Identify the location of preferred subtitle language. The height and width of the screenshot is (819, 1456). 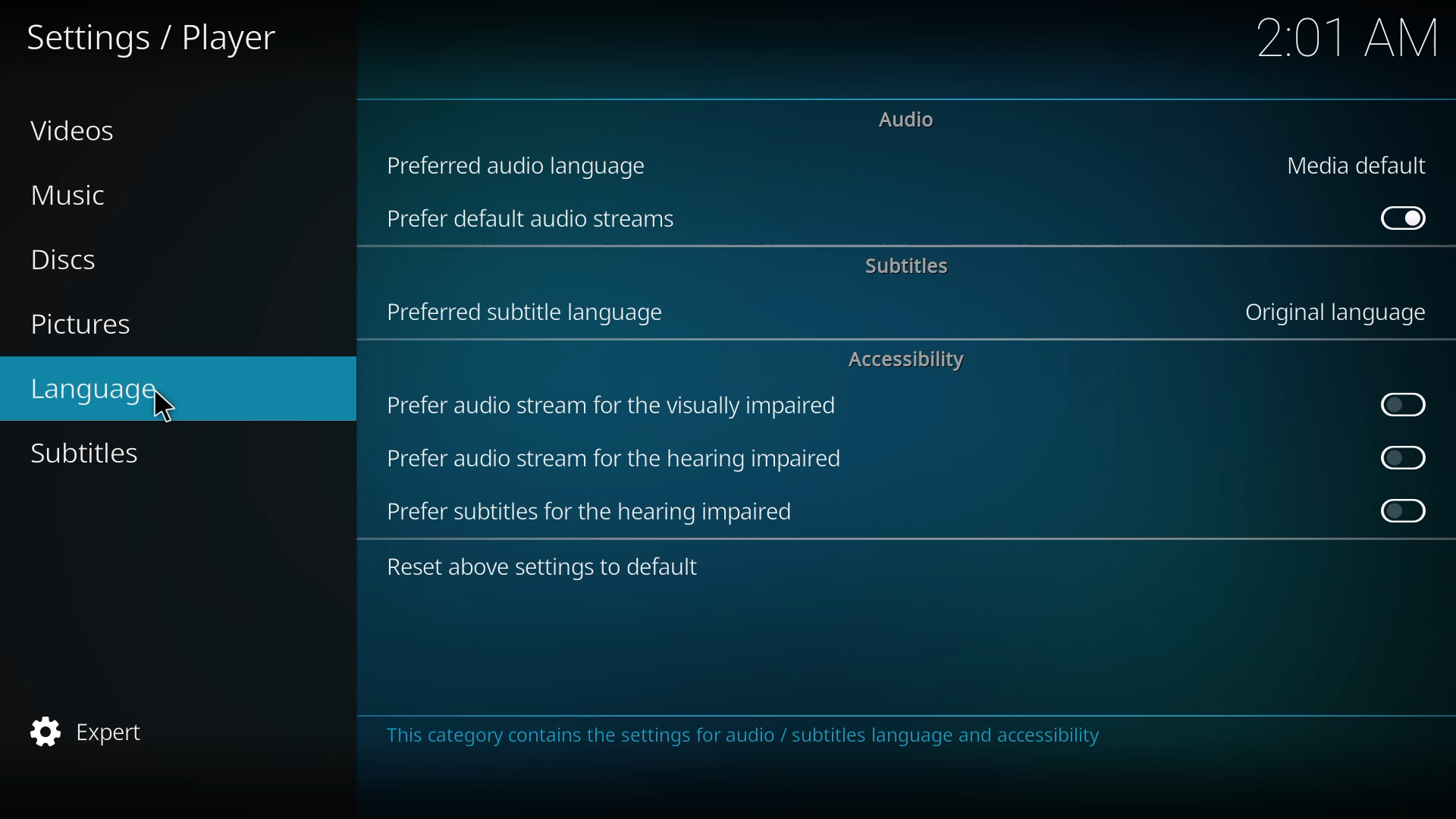
(529, 313).